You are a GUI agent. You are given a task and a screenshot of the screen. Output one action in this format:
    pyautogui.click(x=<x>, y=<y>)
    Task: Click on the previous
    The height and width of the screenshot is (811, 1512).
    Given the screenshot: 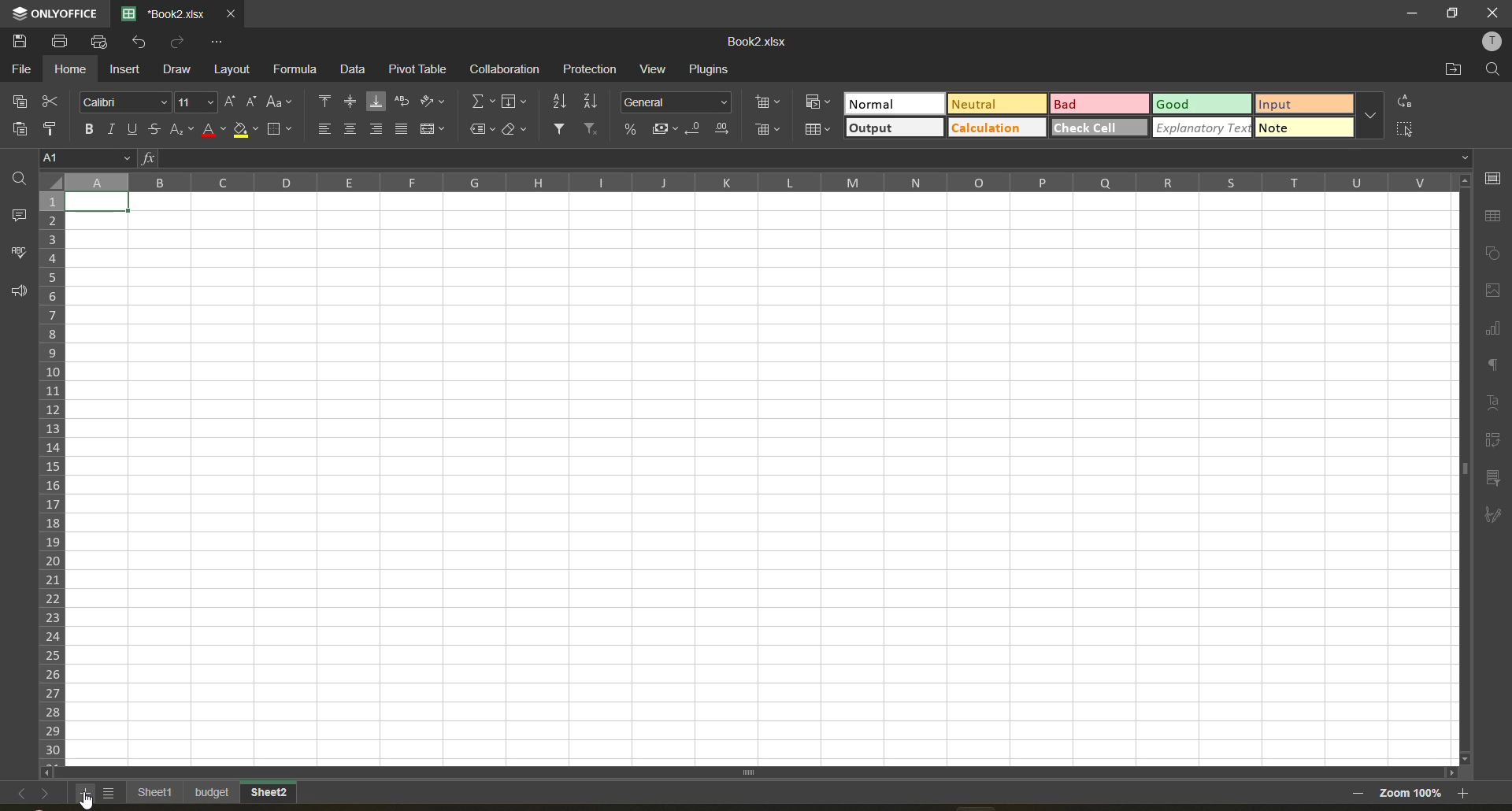 What is the action you would take?
    pyautogui.click(x=15, y=792)
    